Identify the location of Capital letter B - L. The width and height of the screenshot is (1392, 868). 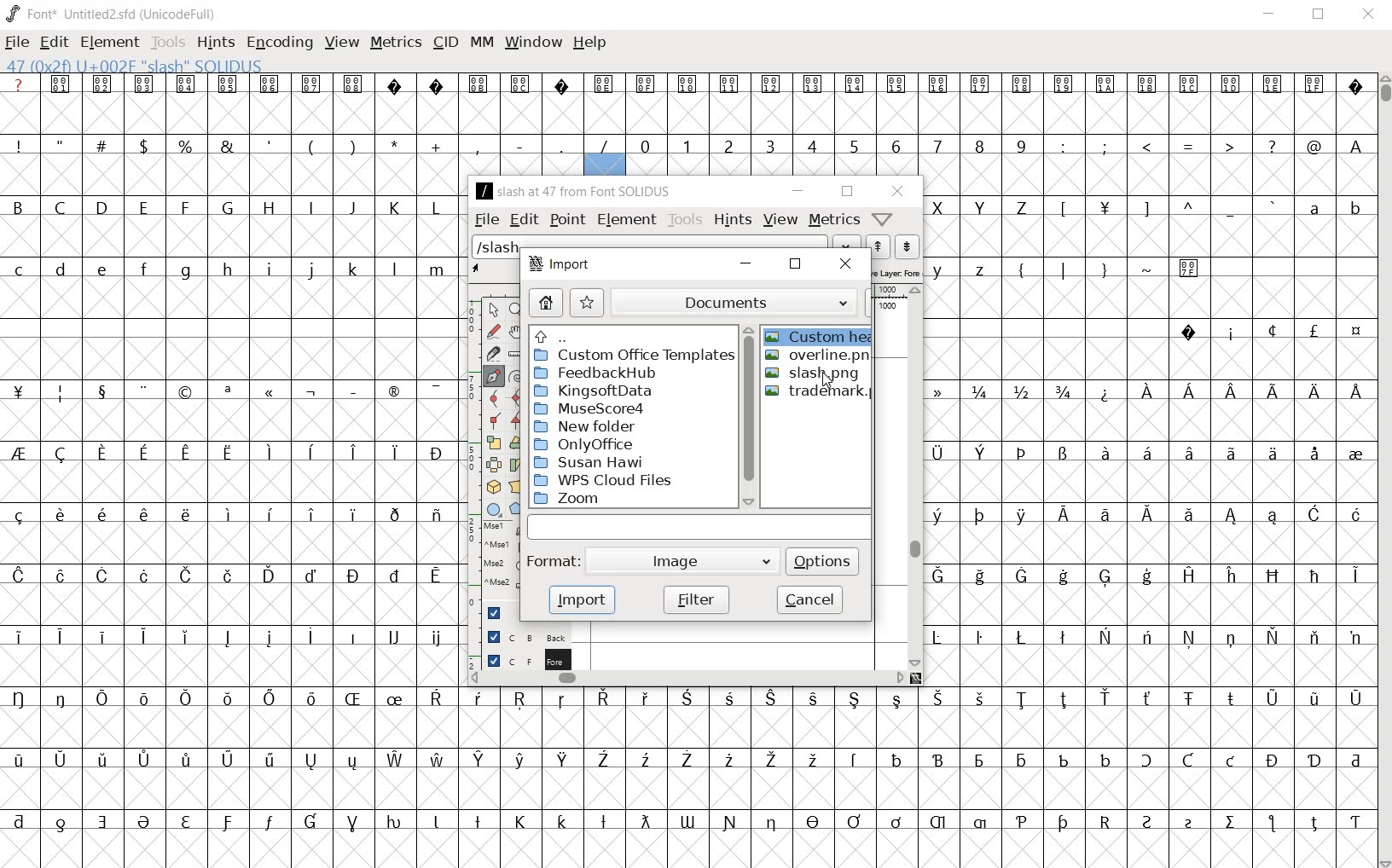
(226, 208).